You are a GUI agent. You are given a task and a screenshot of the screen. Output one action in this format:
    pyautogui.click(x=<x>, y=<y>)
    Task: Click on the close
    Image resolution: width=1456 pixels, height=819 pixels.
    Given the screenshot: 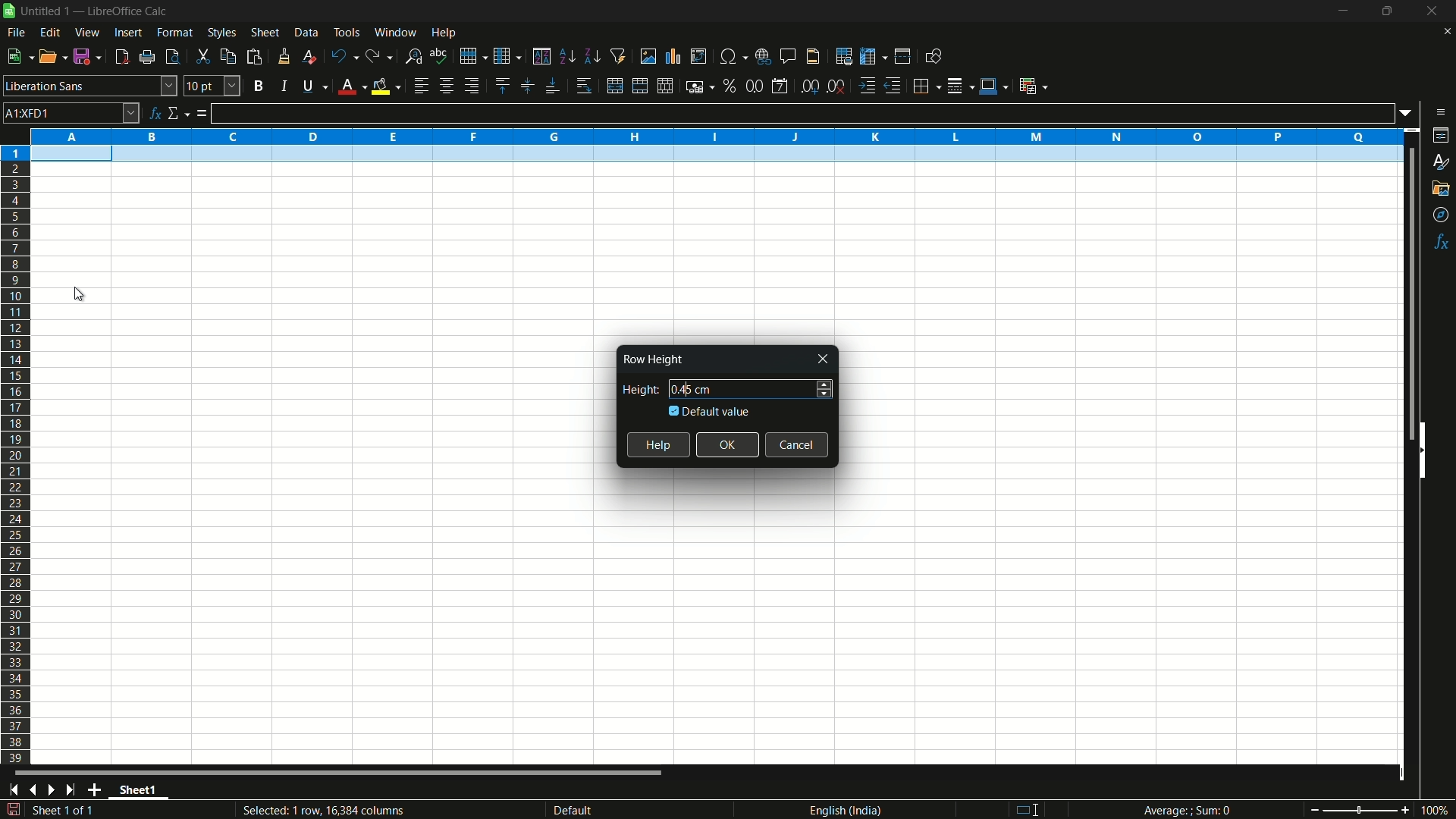 What is the action you would take?
    pyautogui.click(x=824, y=359)
    